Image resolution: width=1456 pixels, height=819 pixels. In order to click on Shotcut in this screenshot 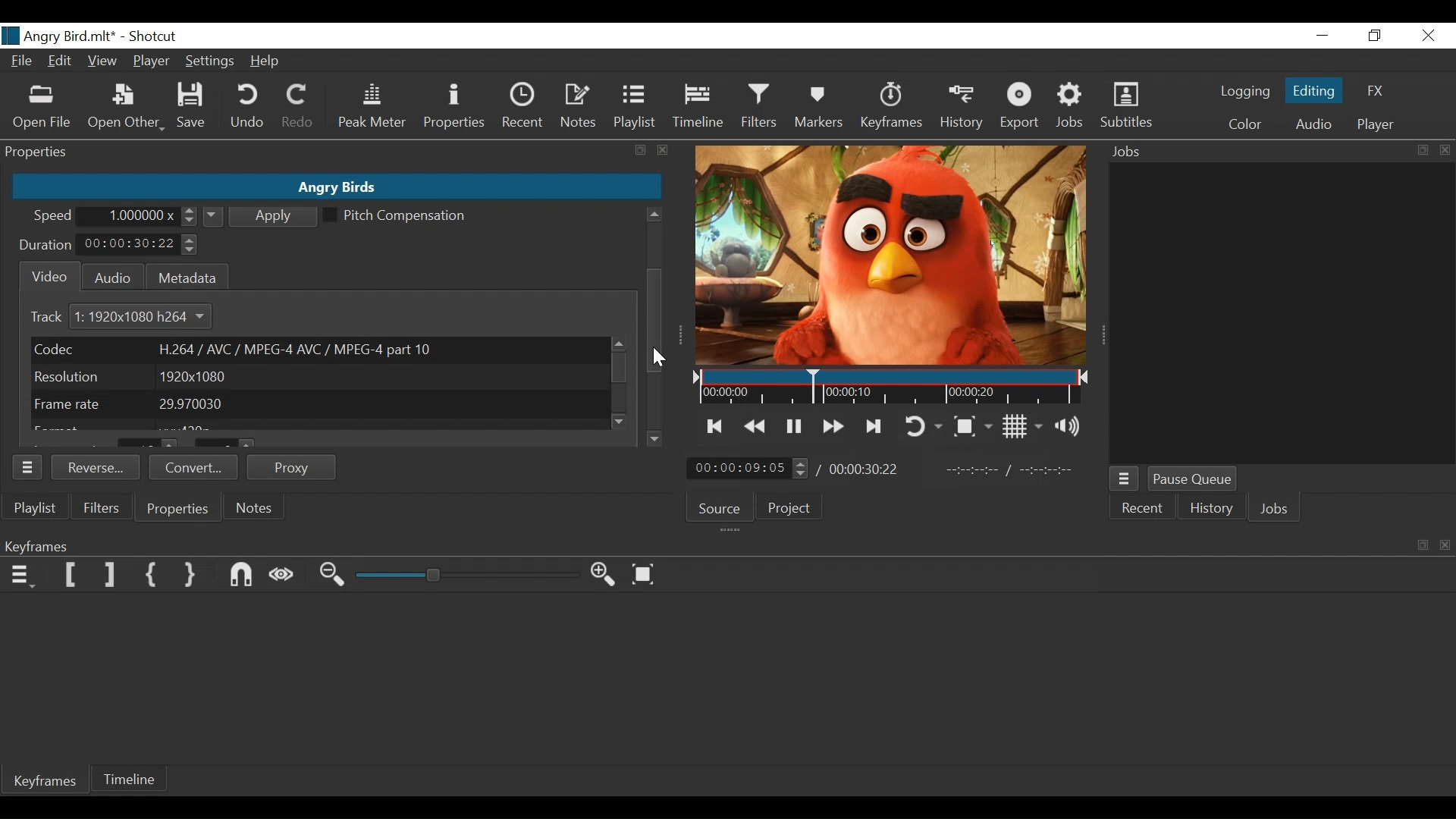, I will do `click(156, 37)`.